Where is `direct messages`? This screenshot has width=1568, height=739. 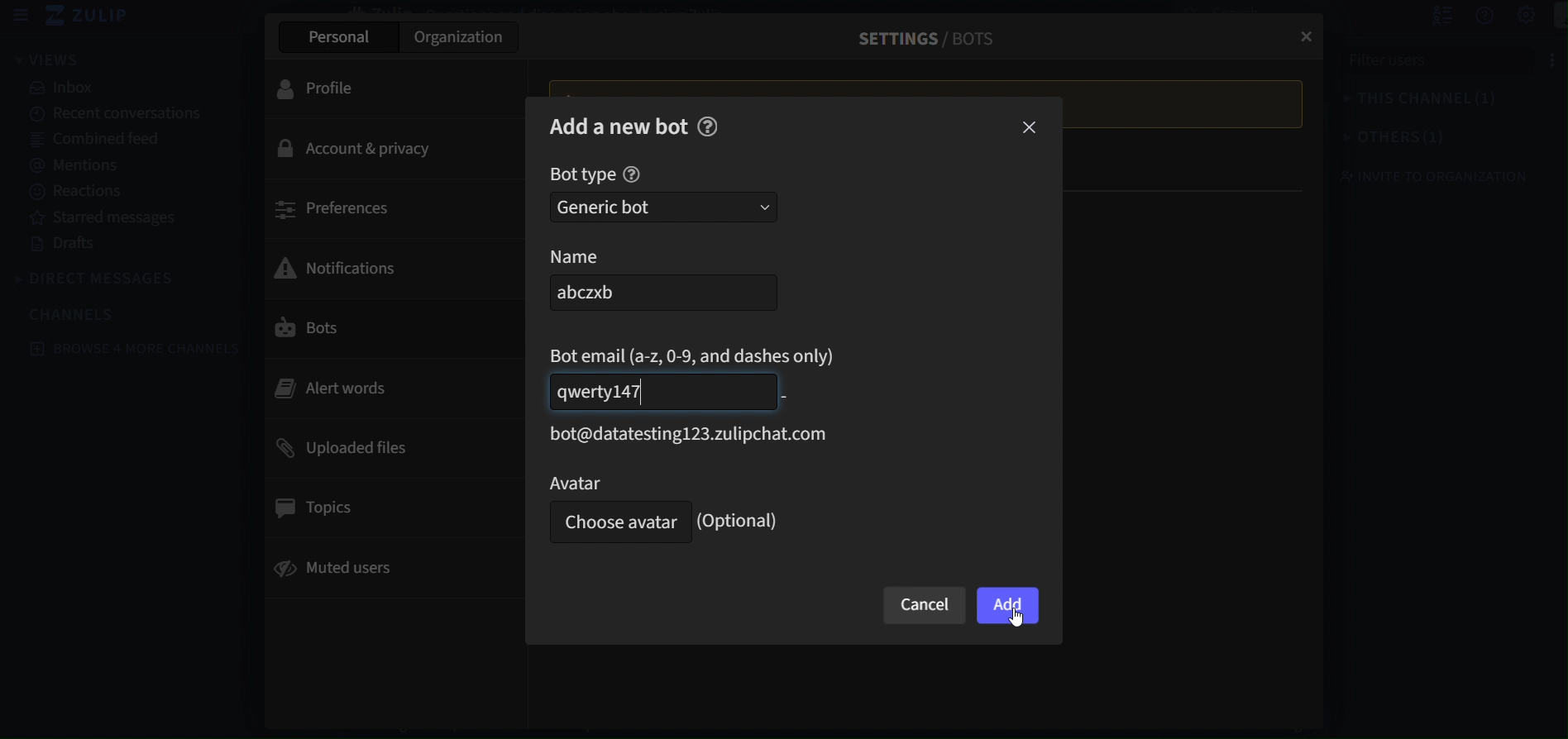 direct messages is located at coordinates (100, 279).